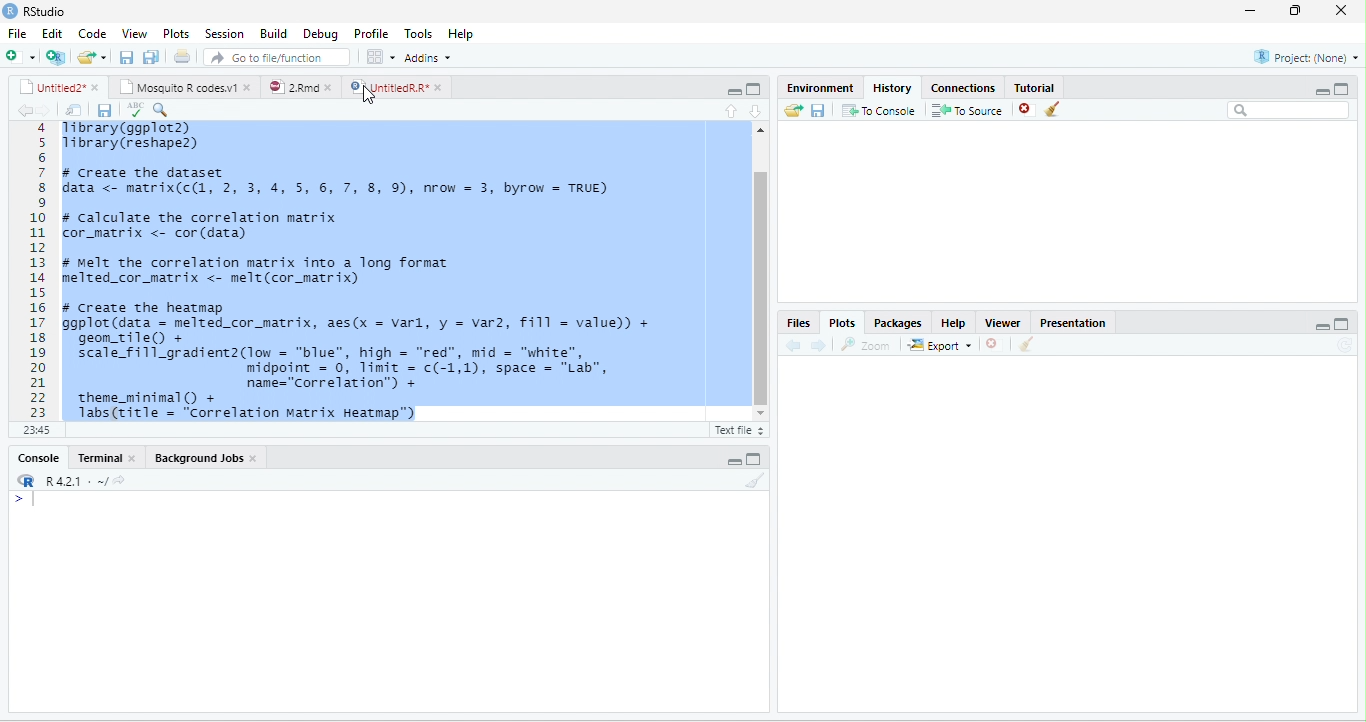 The image size is (1366, 722). Describe the element at coordinates (844, 323) in the screenshot. I see `plots` at that location.